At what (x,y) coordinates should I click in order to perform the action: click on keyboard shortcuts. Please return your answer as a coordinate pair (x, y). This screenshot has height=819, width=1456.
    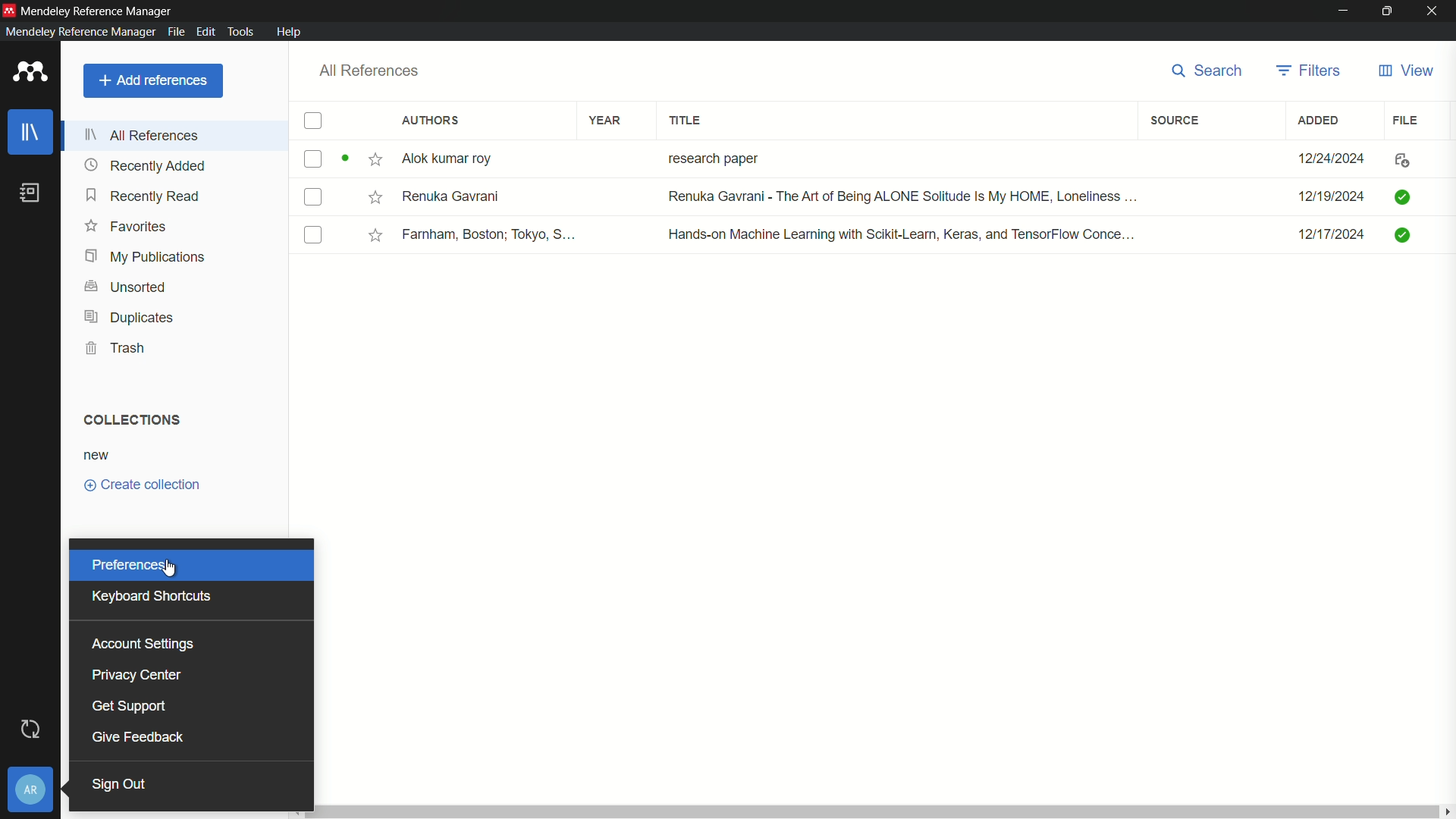
    Looking at the image, I should click on (151, 596).